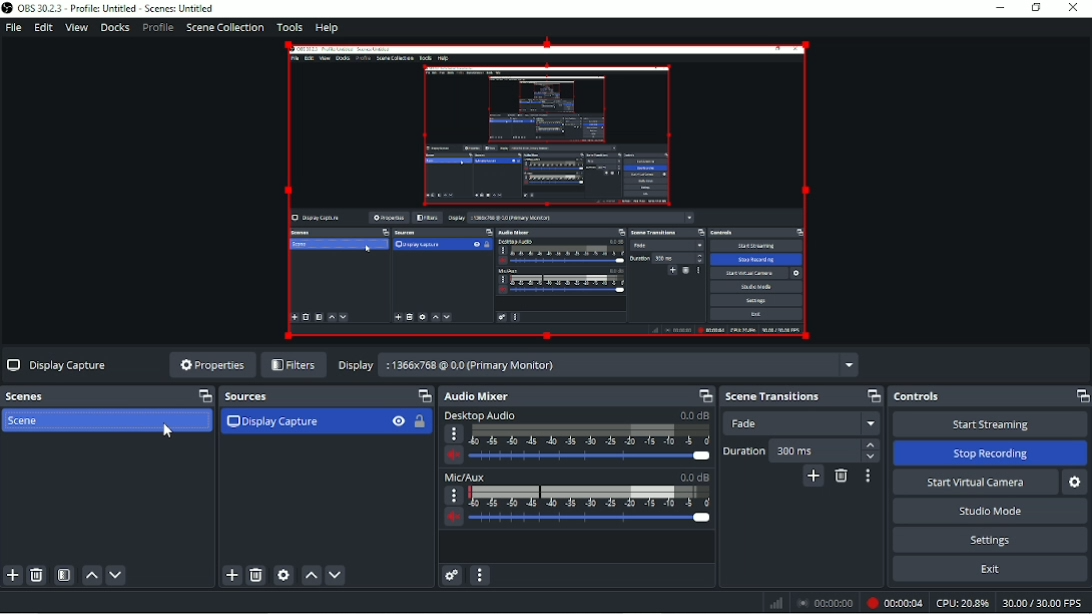 The height and width of the screenshot is (614, 1092). Describe the element at coordinates (589, 497) in the screenshot. I see `Scale` at that location.